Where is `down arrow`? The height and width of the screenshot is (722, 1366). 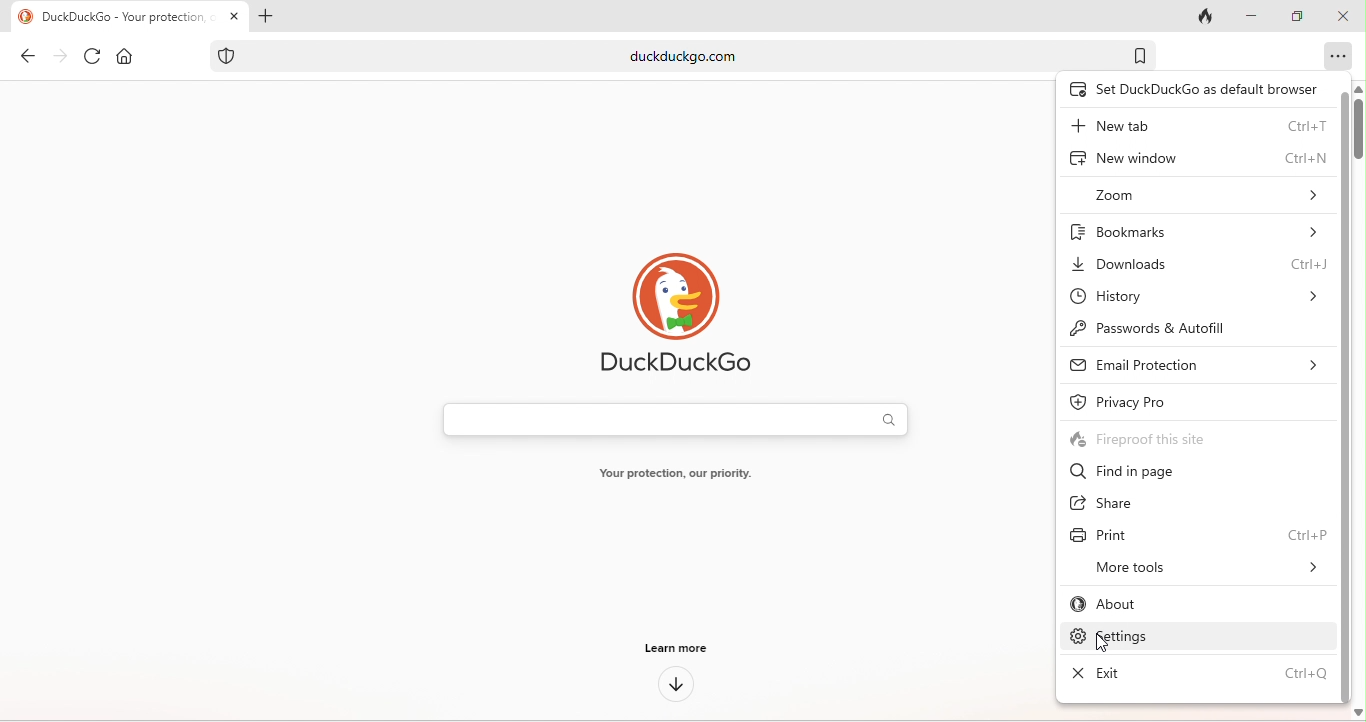
down arrow is located at coordinates (677, 680).